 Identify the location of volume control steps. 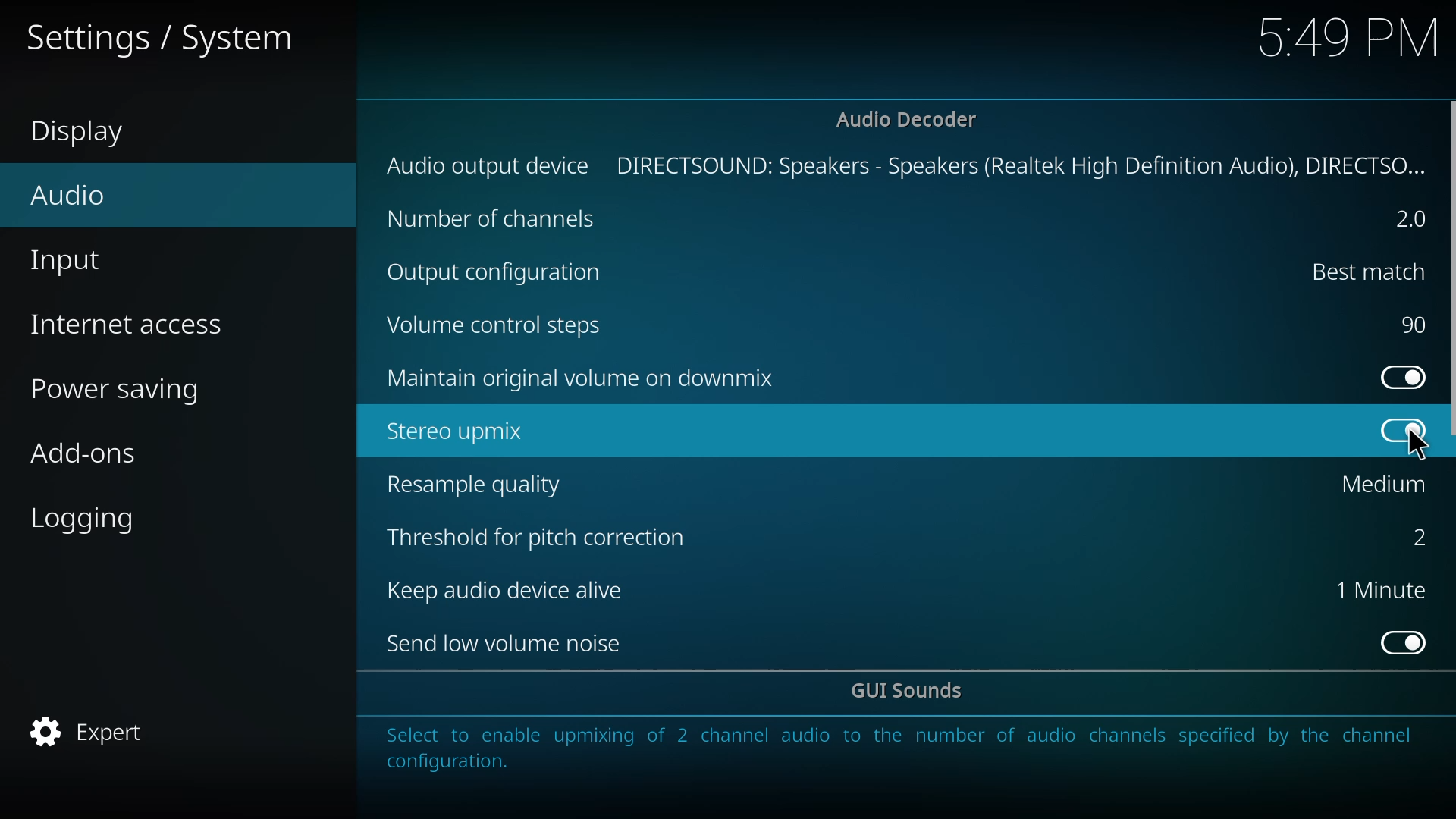
(499, 326).